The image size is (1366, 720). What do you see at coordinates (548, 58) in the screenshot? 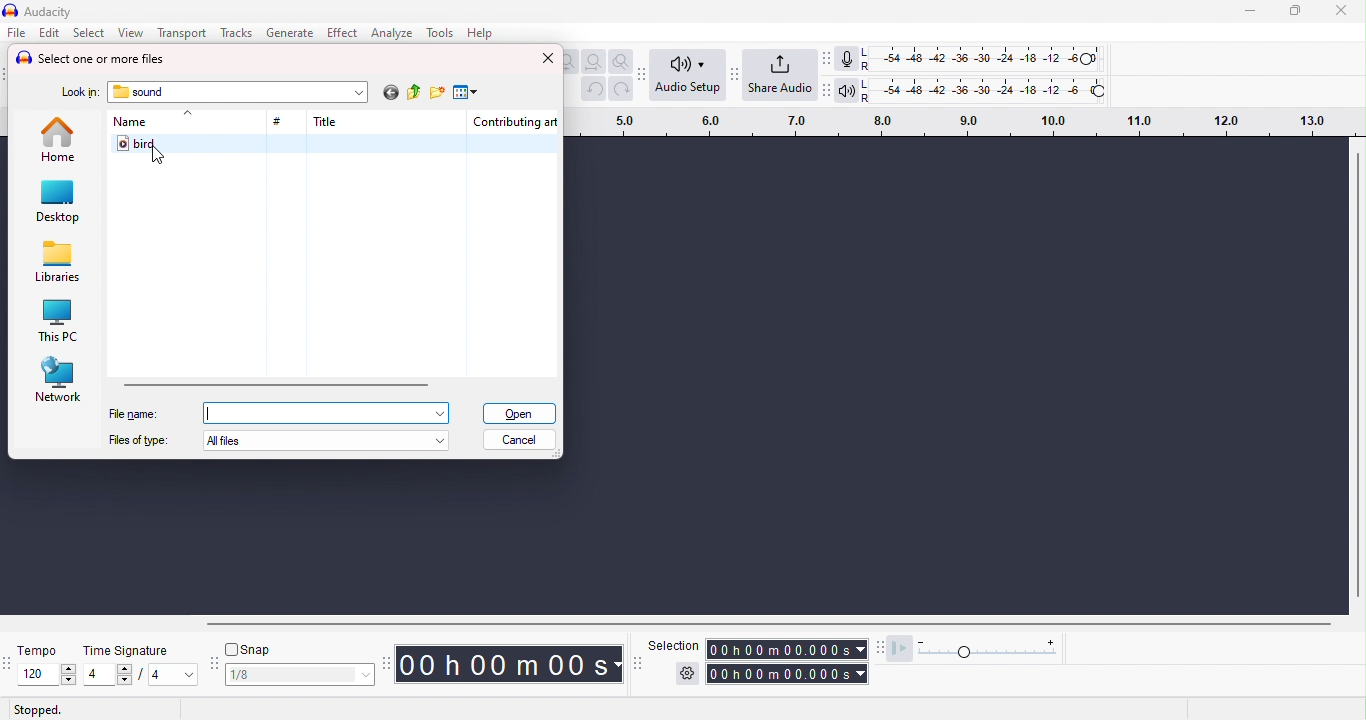
I see `close` at bounding box center [548, 58].